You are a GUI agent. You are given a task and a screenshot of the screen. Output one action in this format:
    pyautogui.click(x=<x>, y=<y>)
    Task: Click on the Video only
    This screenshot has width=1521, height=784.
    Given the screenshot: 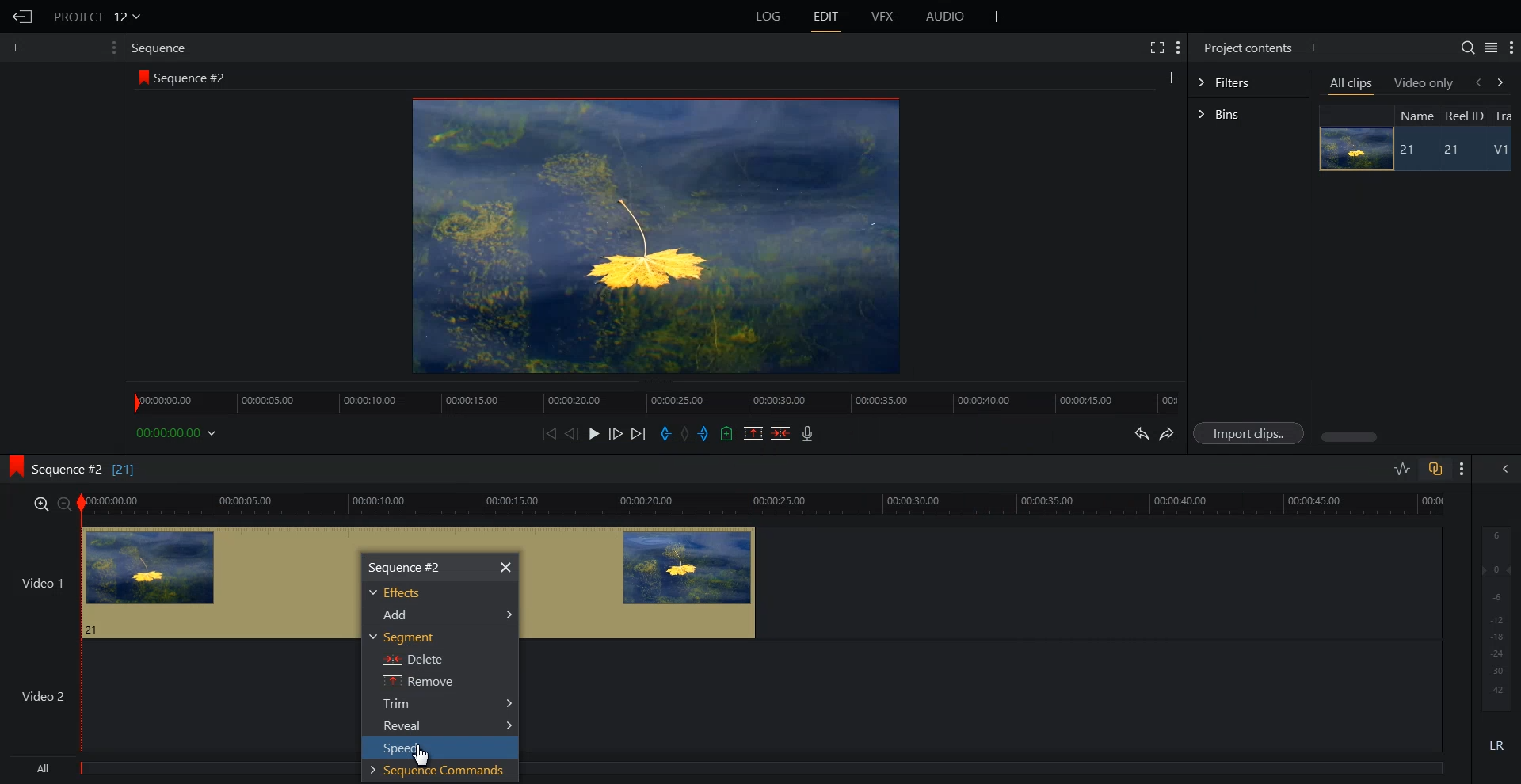 What is the action you would take?
    pyautogui.click(x=1424, y=82)
    